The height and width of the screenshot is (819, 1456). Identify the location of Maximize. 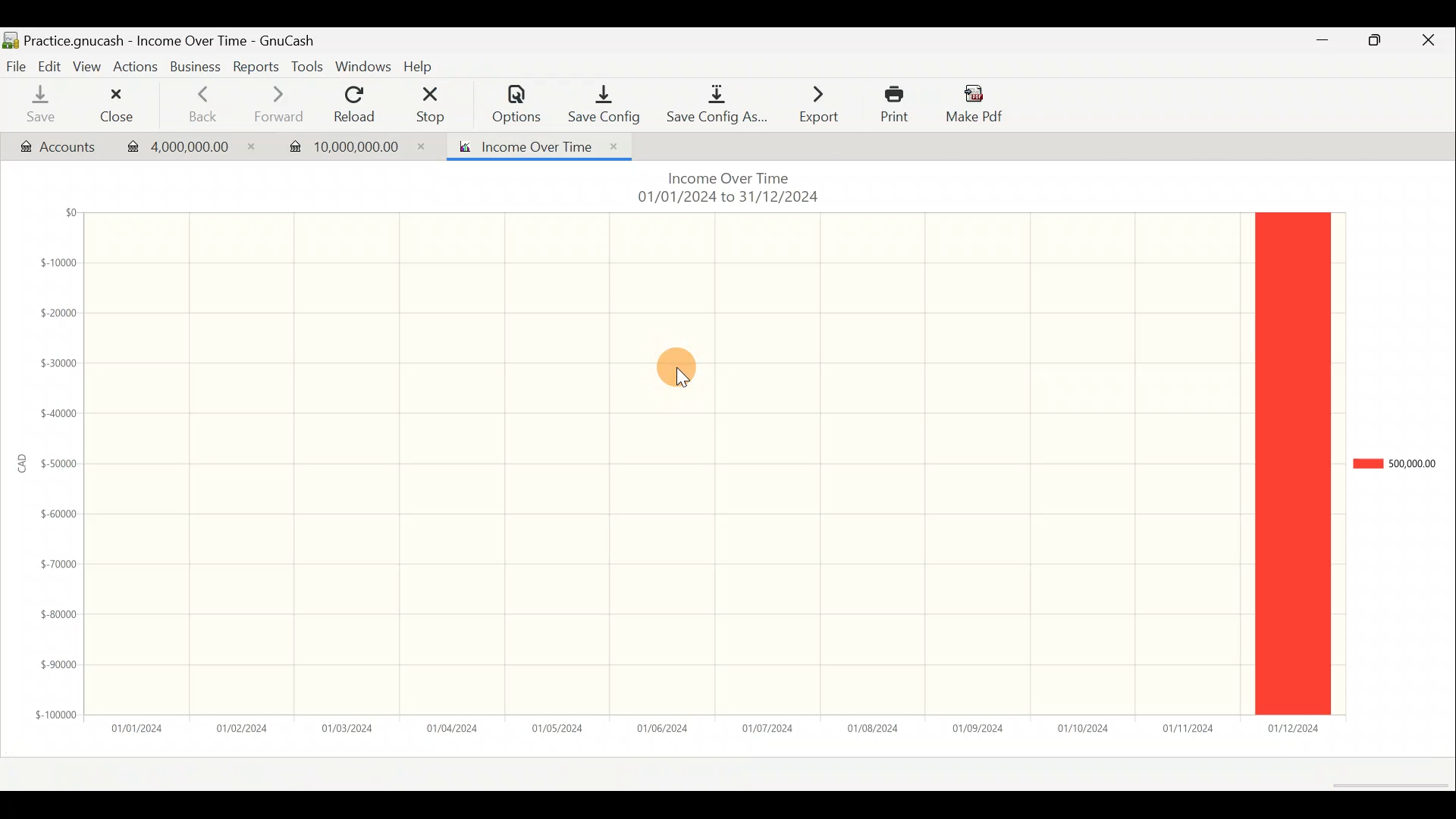
(1373, 42).